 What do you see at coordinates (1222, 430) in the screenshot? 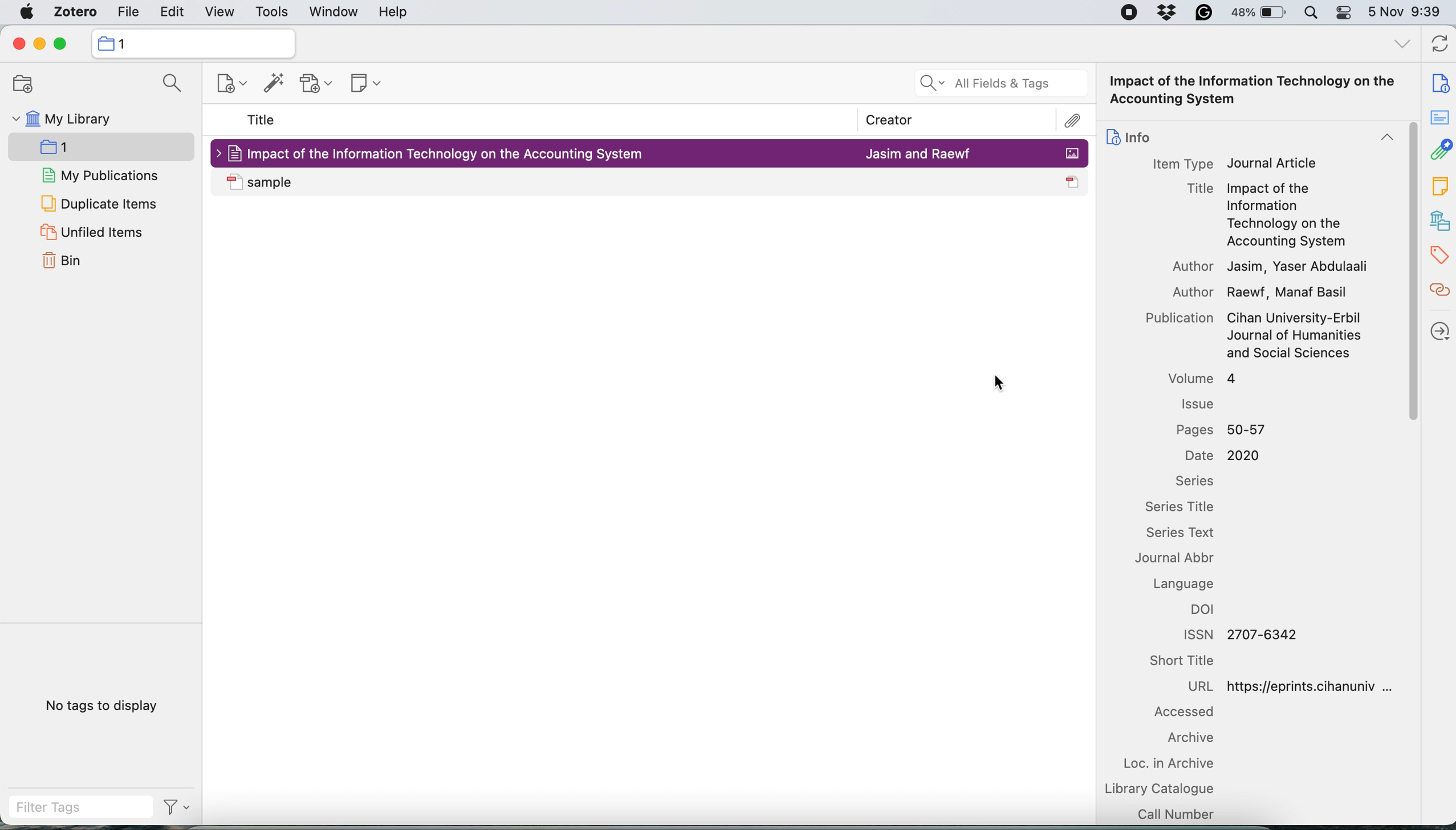
I see `Pages 50-57` at bounding box center [1222, 430].